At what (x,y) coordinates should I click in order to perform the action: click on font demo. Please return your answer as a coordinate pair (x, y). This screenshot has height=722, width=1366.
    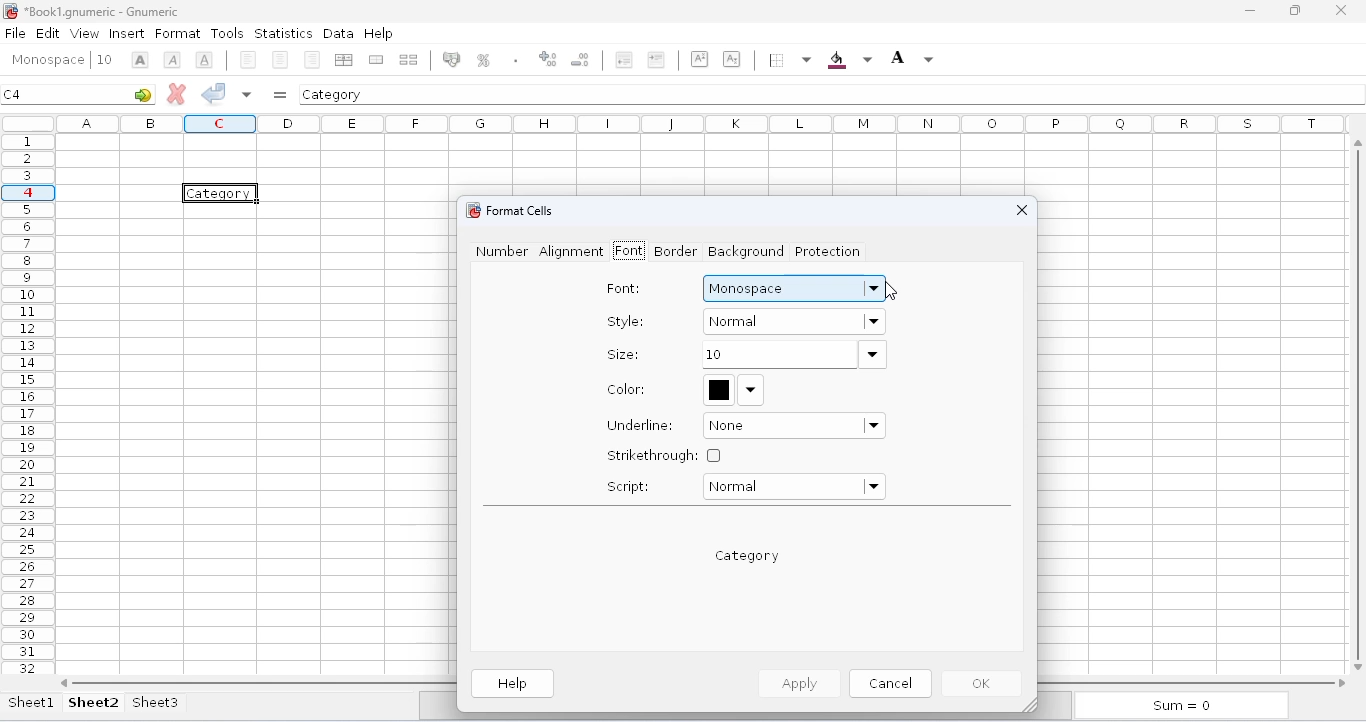
    Looking at the image, I should click on (748, 556).